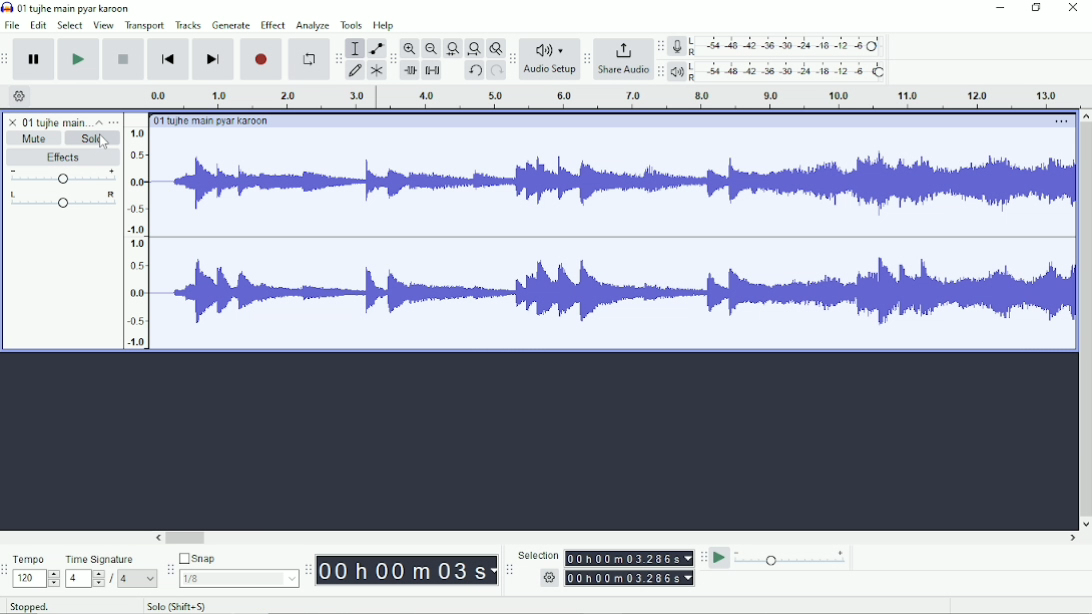  I want to click on Open menu, so click(114, 121).